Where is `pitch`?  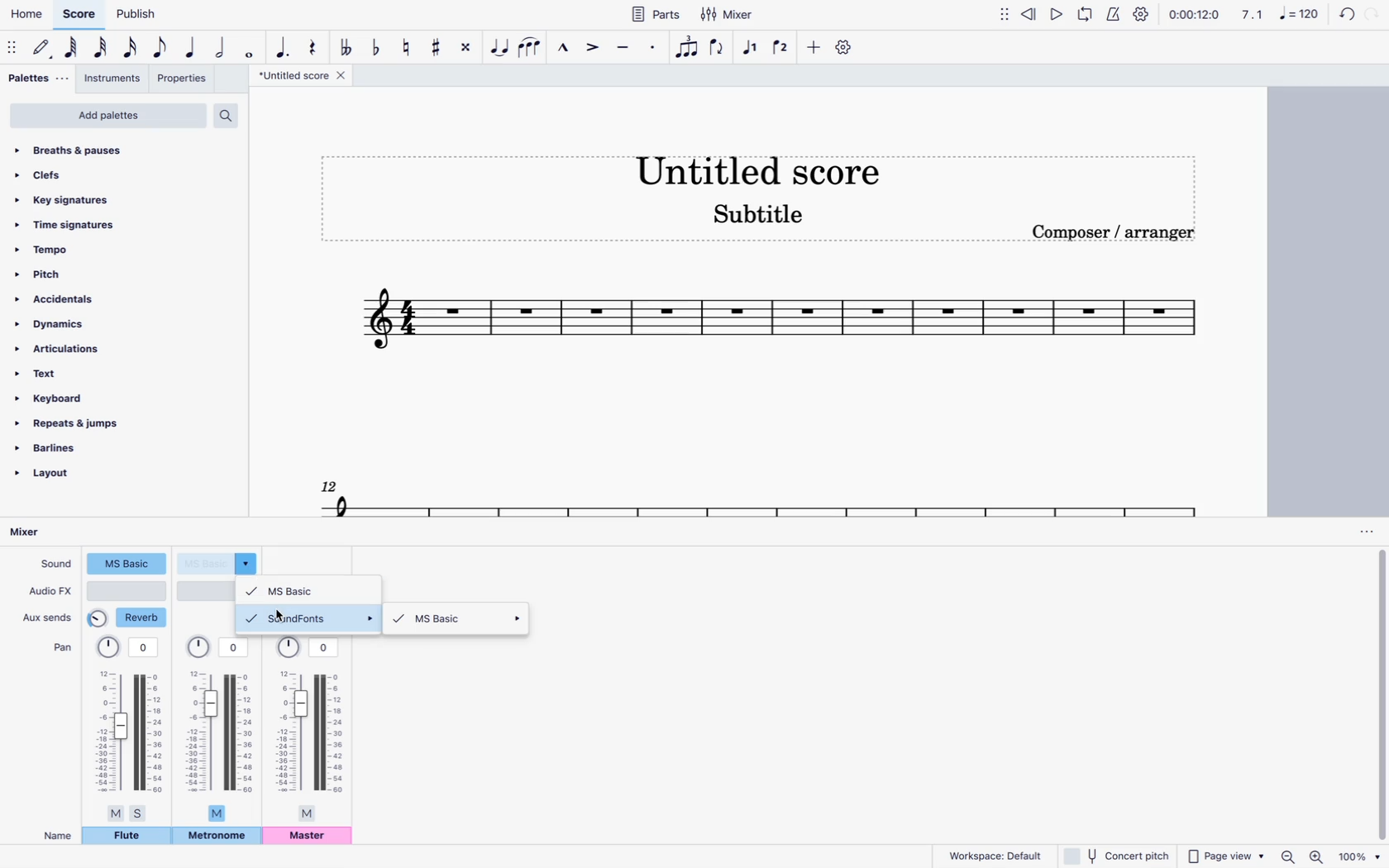
pitch is located at coordinates (97, 274).